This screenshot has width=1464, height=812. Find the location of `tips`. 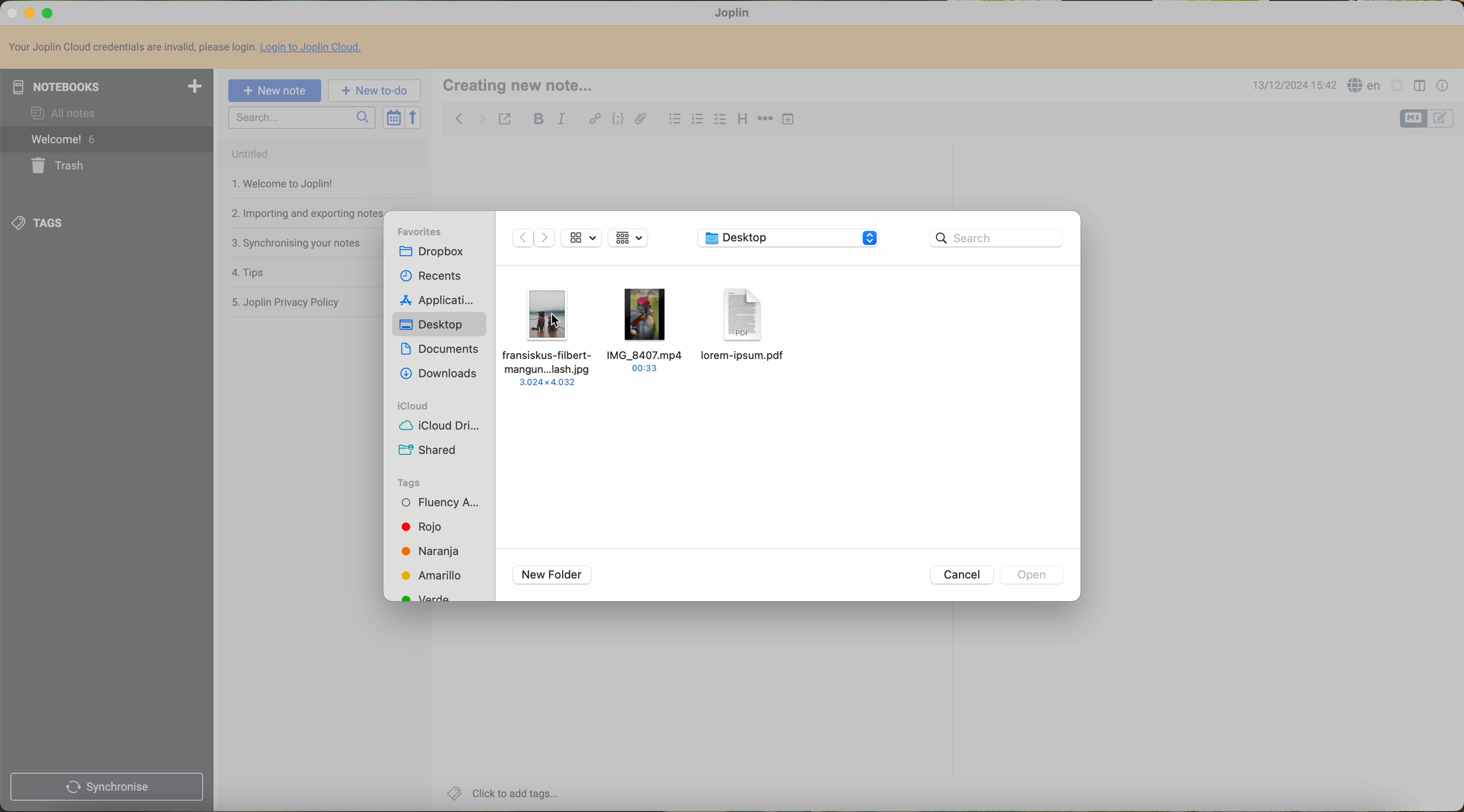

tips is located at coordinates (245, 272).